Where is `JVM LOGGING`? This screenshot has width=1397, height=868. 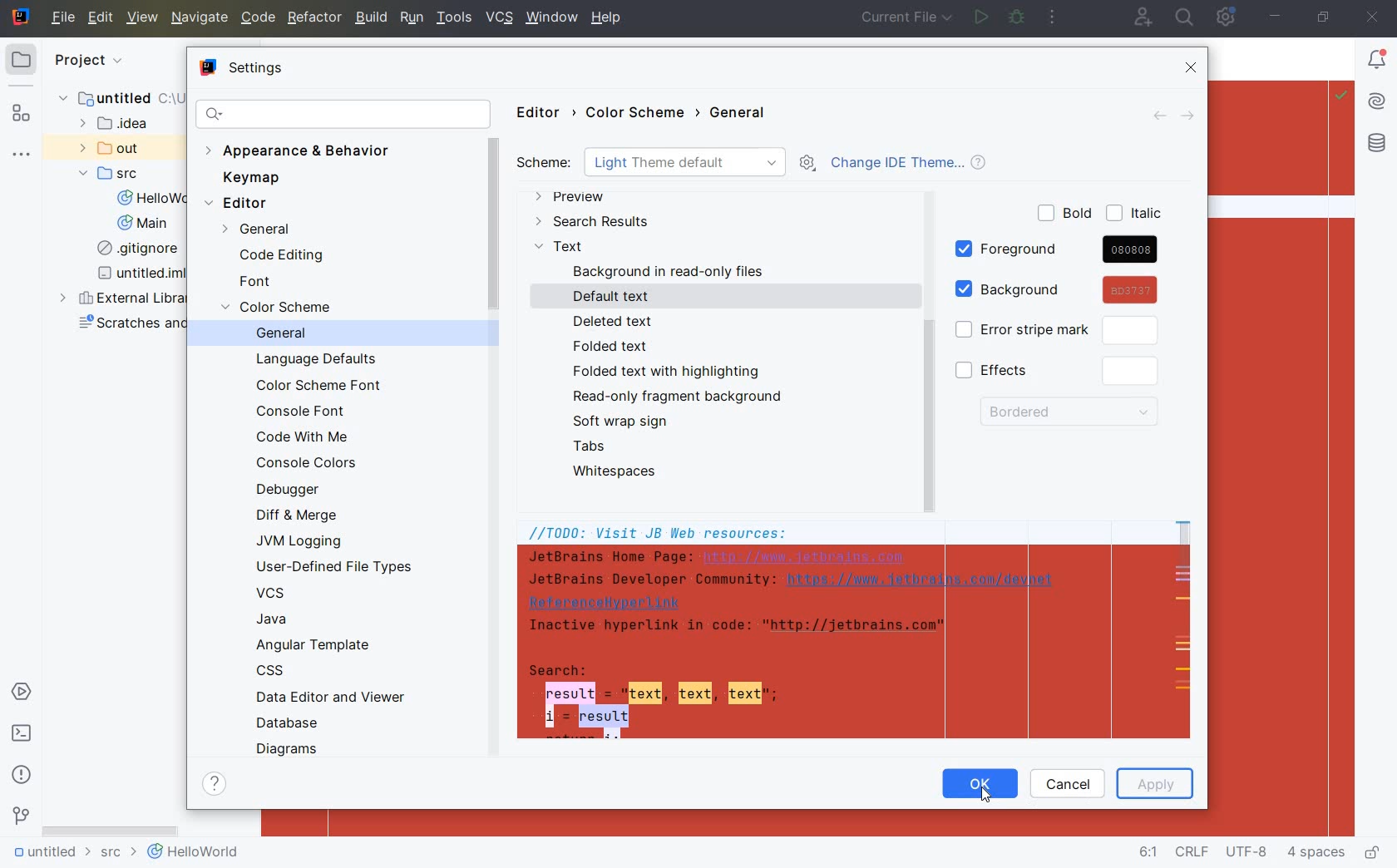 JVM LOGGING is located at coordinates (303, 541).